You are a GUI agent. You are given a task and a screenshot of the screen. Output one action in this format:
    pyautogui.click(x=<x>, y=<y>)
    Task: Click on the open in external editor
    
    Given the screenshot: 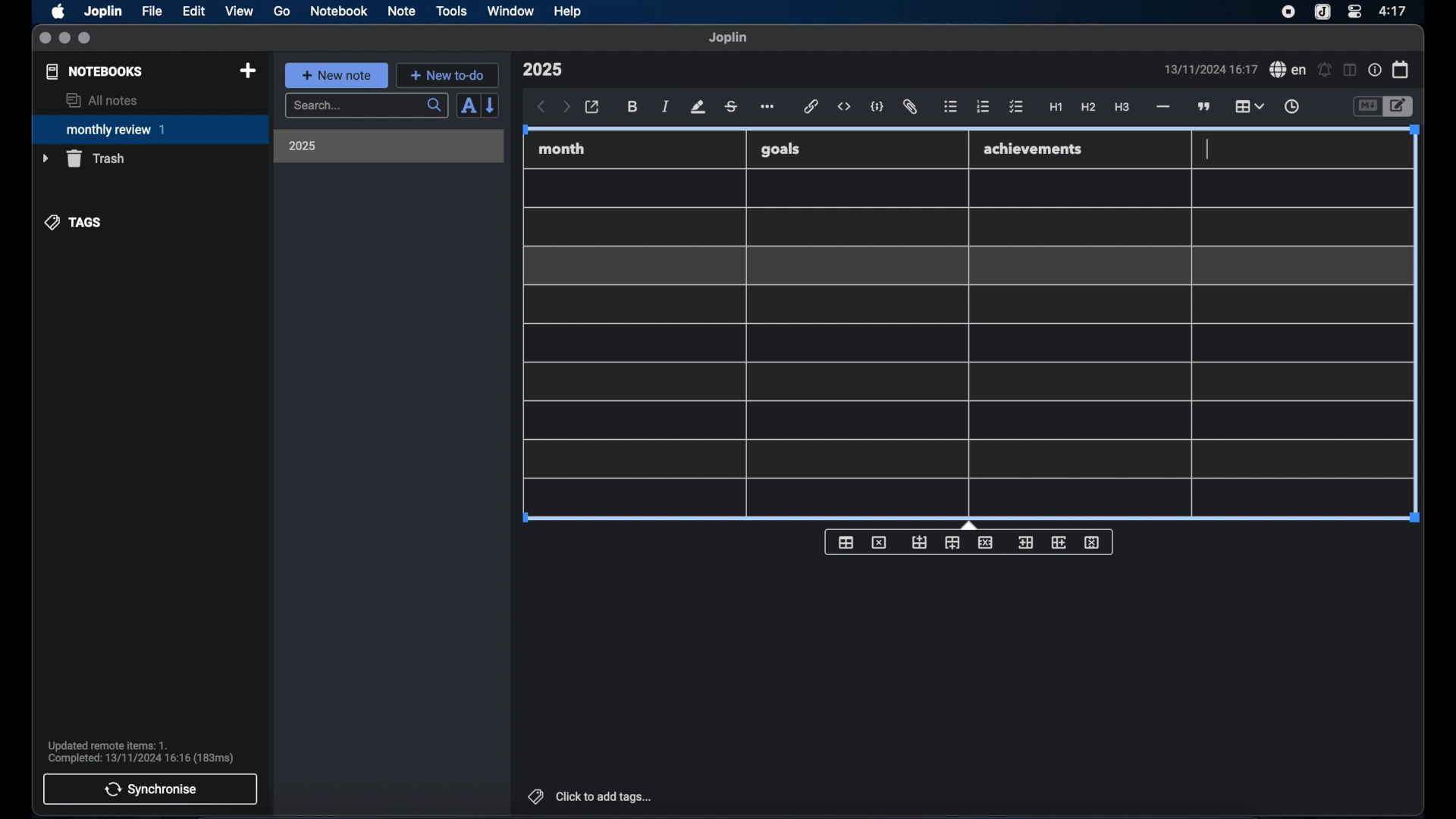 What is the action you would take?
    pyautogui.click(x=593, y=108)
    